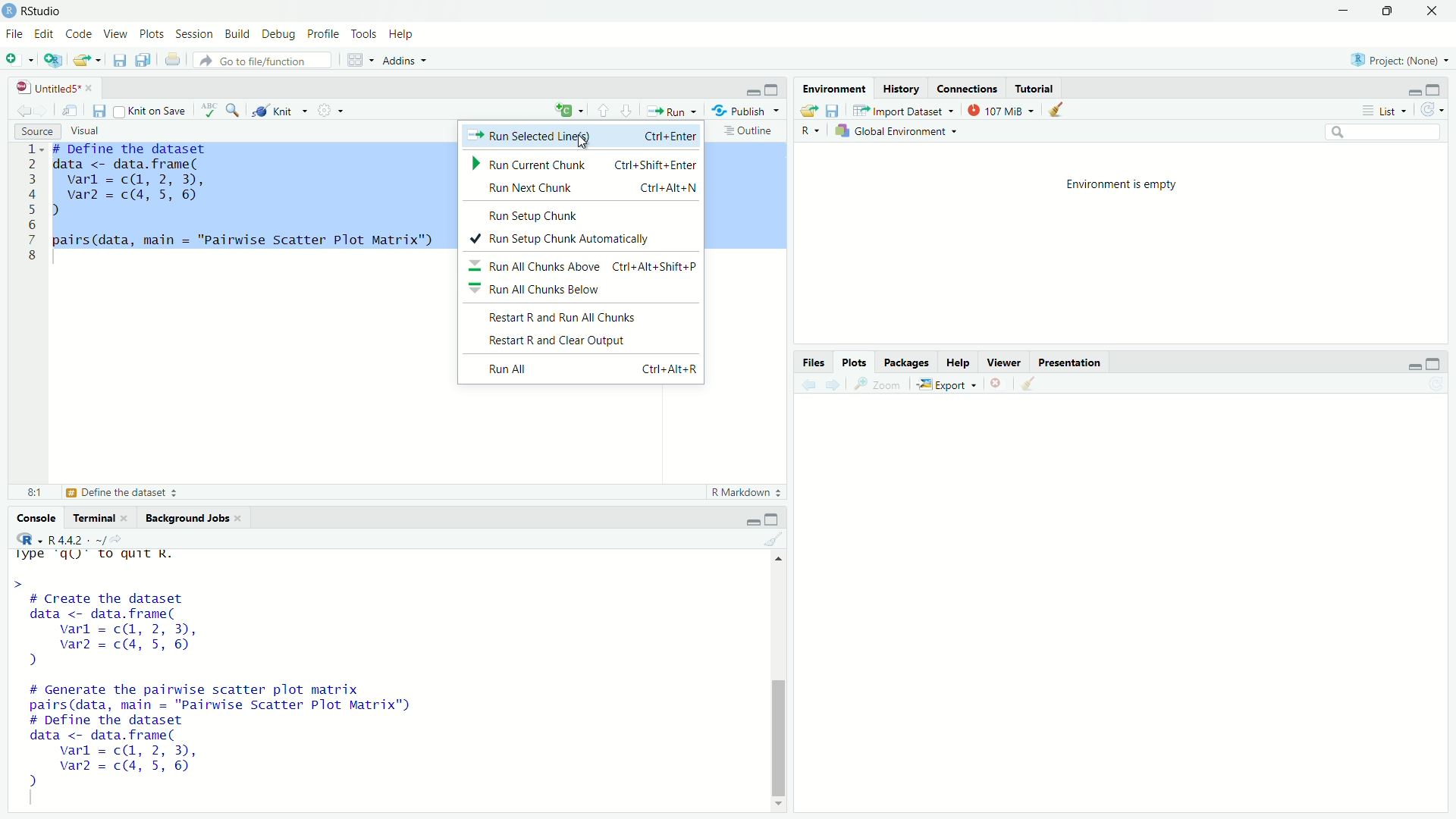  I want to click on Build, so click(239, 34).